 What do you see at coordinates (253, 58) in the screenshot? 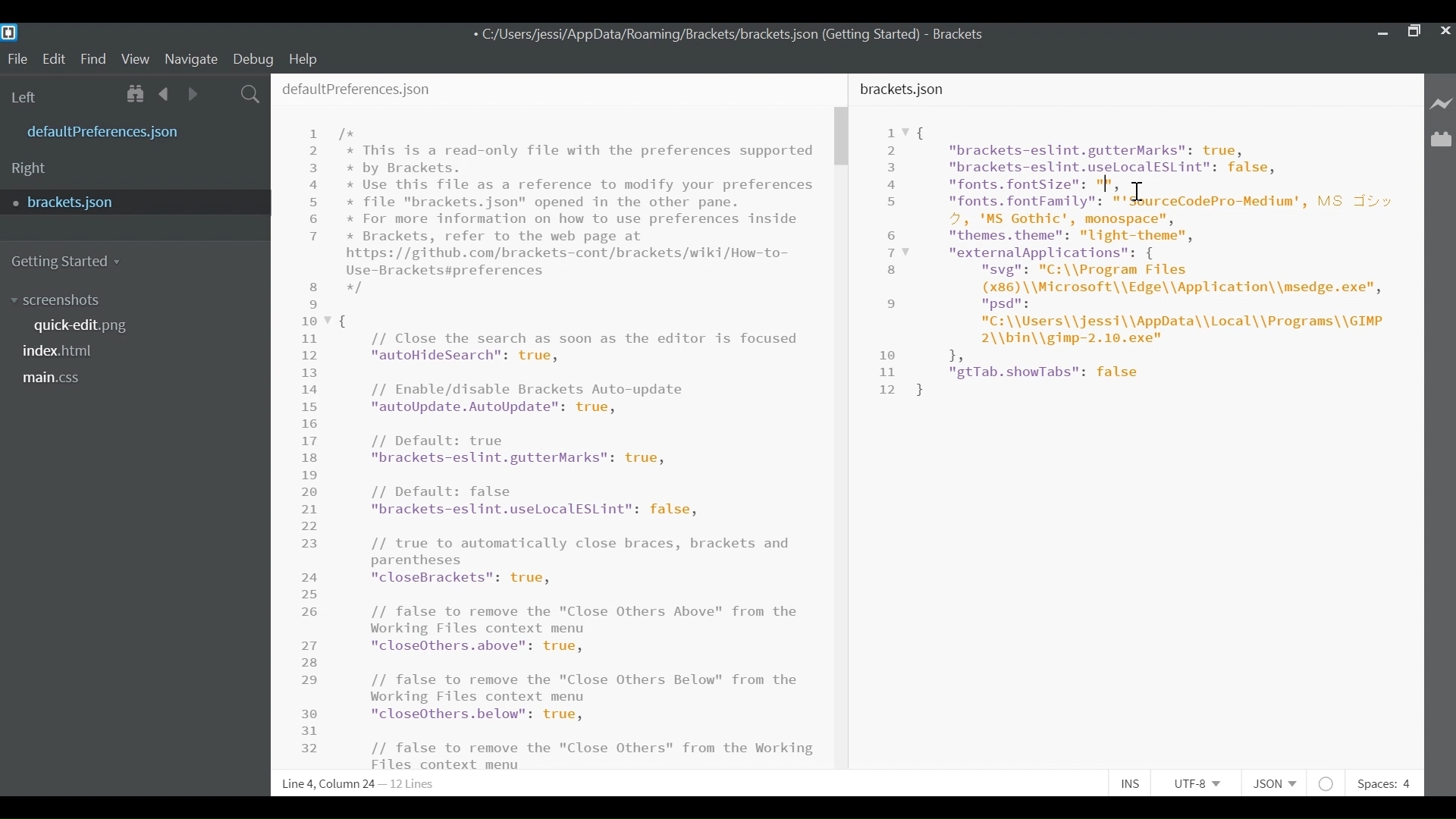
I see `Debug` at bounding box center [253, 58].